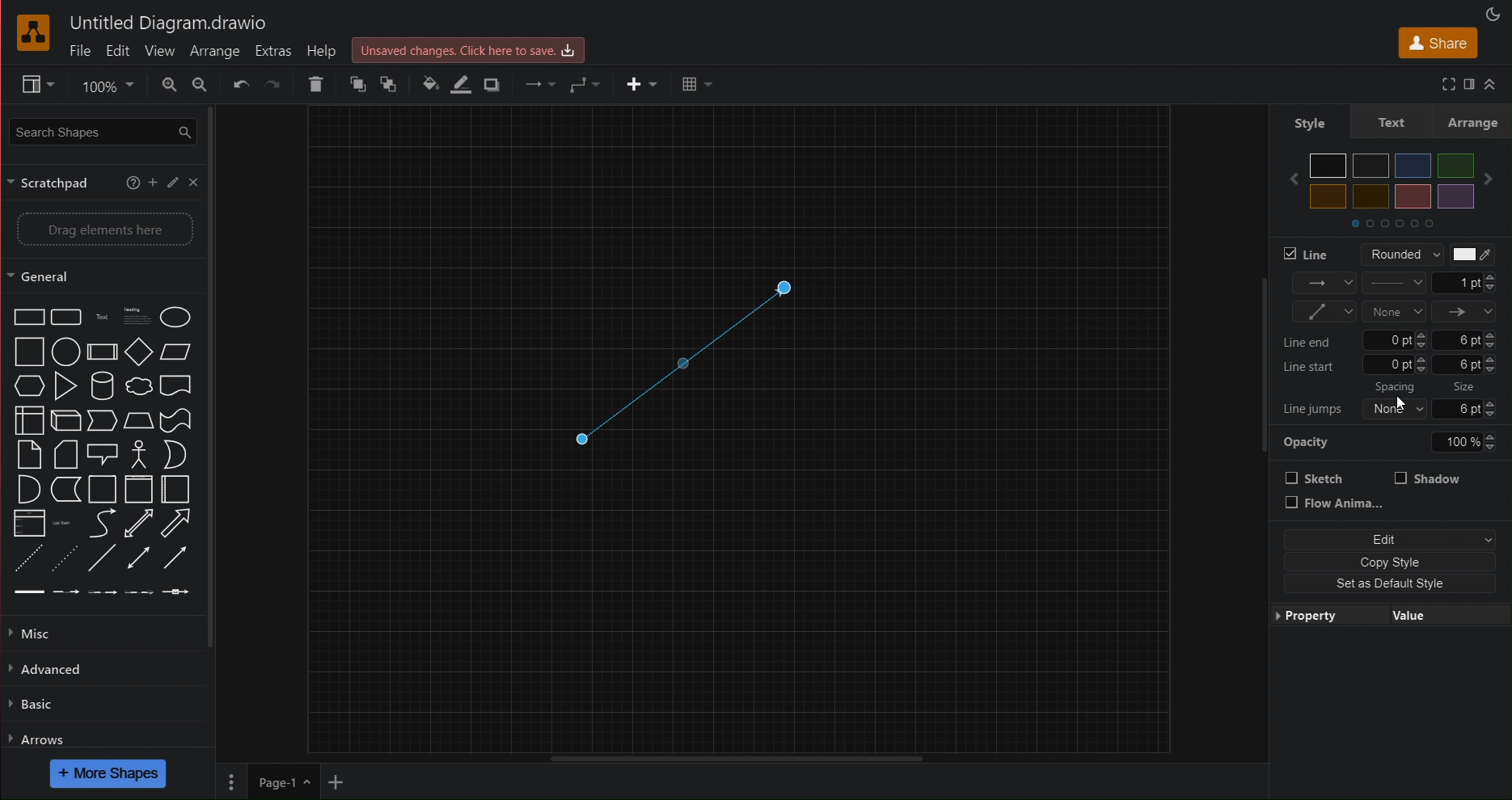 This screenshot has width=1512, height=800. What do you see at coordinates (109, 773) in the screenshot?
I see `More Shapes` at bounding box center [109, 773].